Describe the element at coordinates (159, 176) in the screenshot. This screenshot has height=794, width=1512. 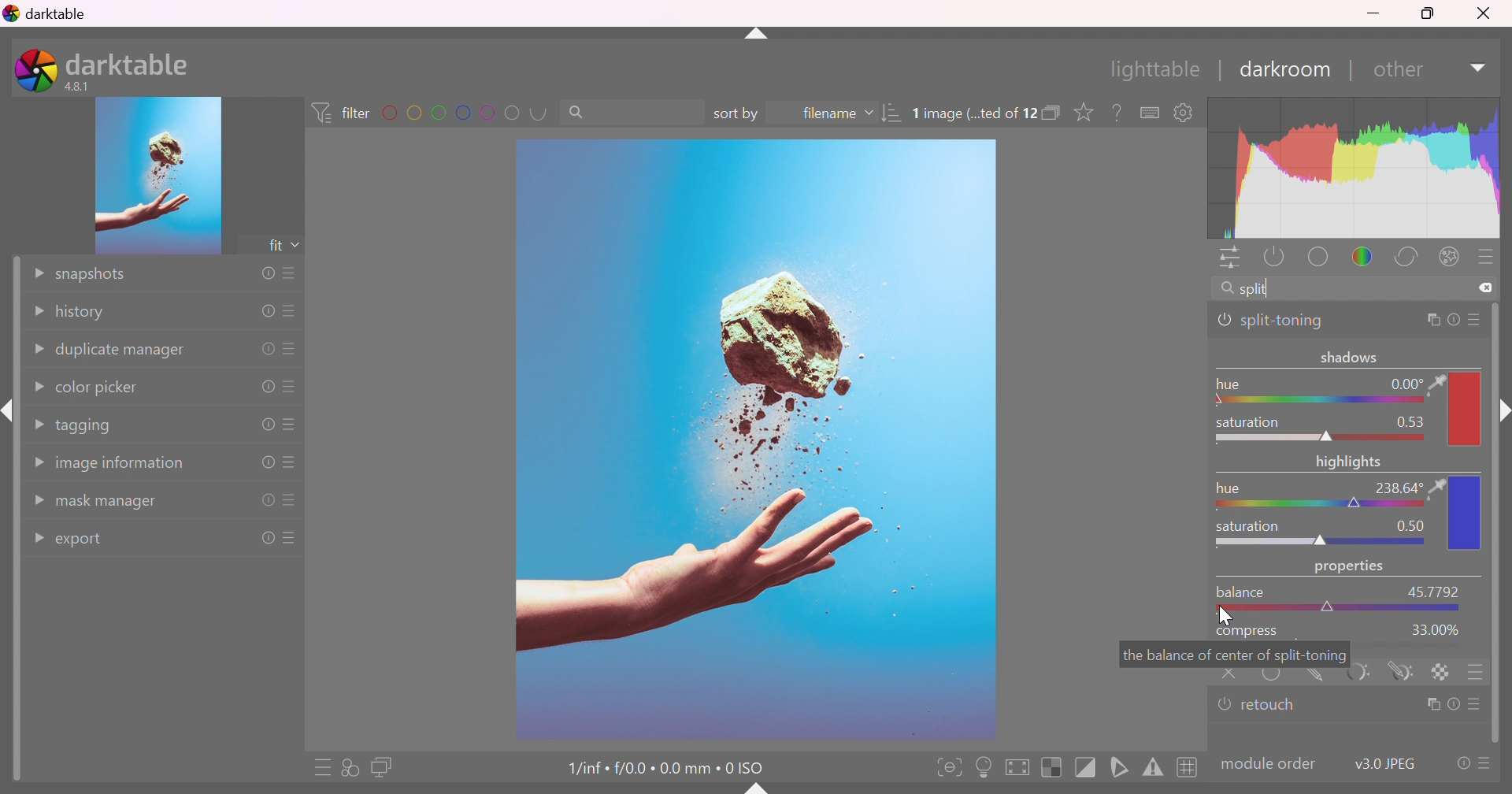
I see `image` at that location.